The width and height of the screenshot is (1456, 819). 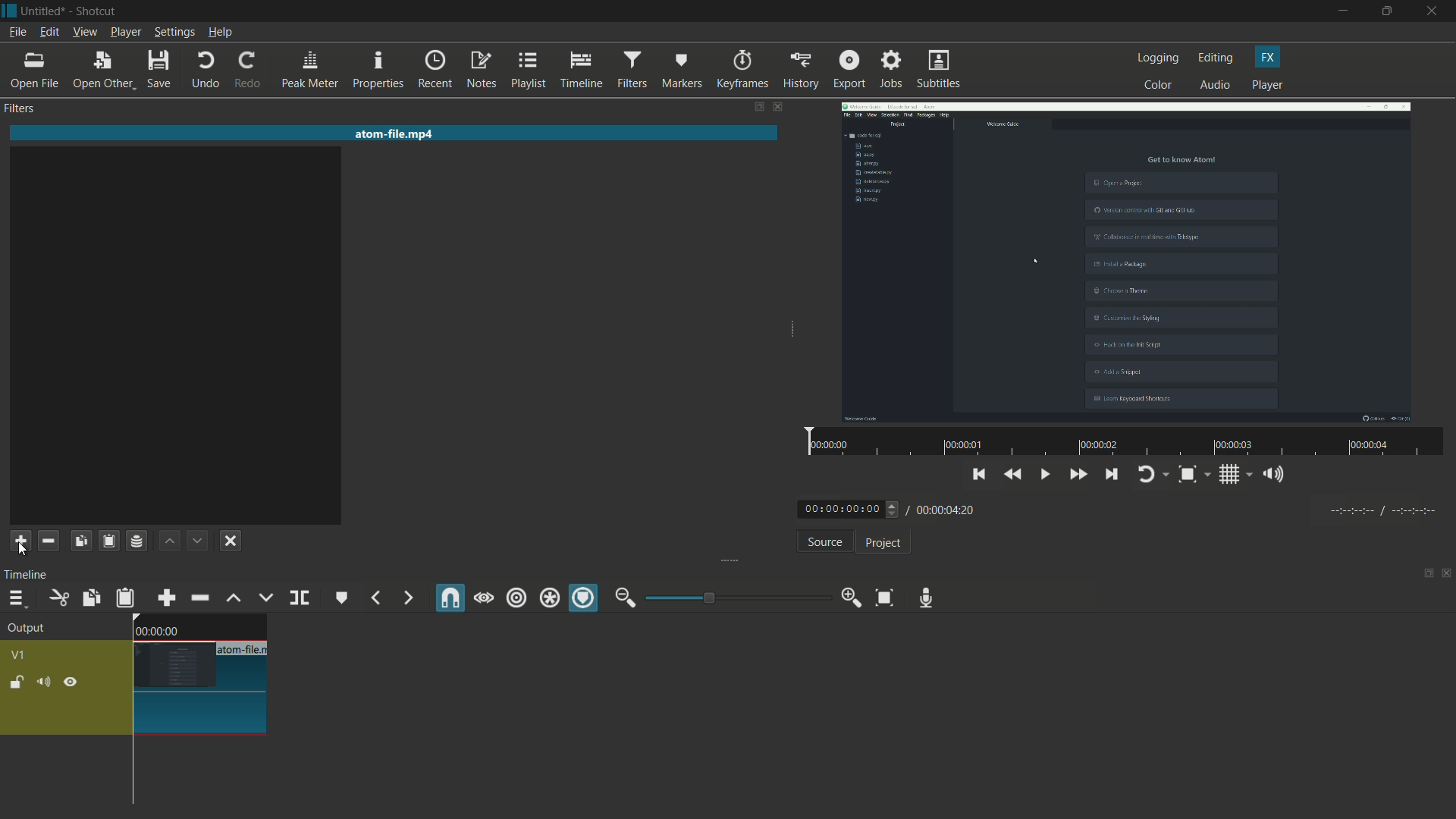 What do you see at coordinates (375, 598) in the screenshot?
I see `previous marker` at bounding box center [375, 598].